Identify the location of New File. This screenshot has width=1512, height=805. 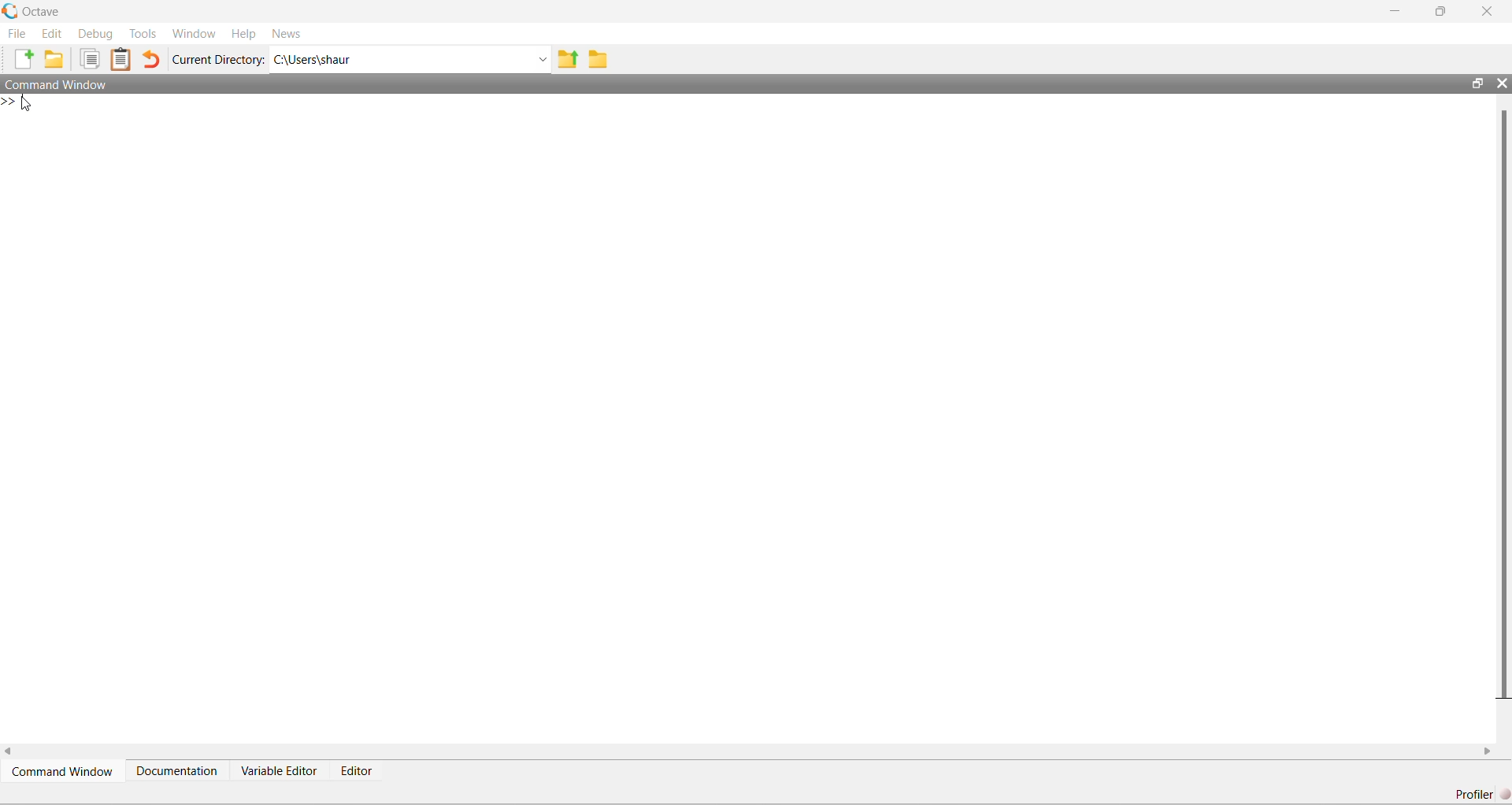
(22, 59).